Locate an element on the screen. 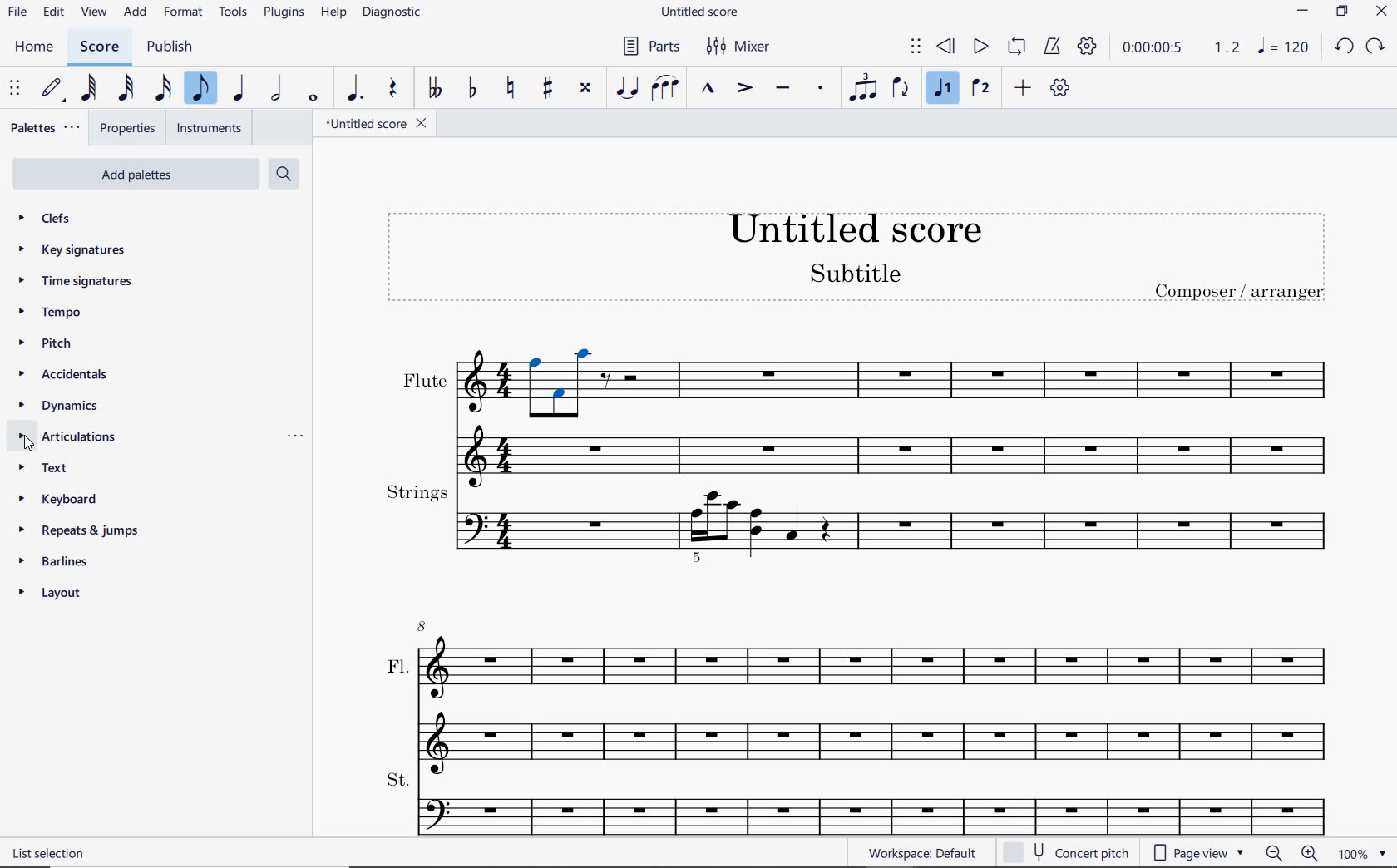 The height and width of the screenshot is (868, 1397). strings is located at coordinates (859, 521).